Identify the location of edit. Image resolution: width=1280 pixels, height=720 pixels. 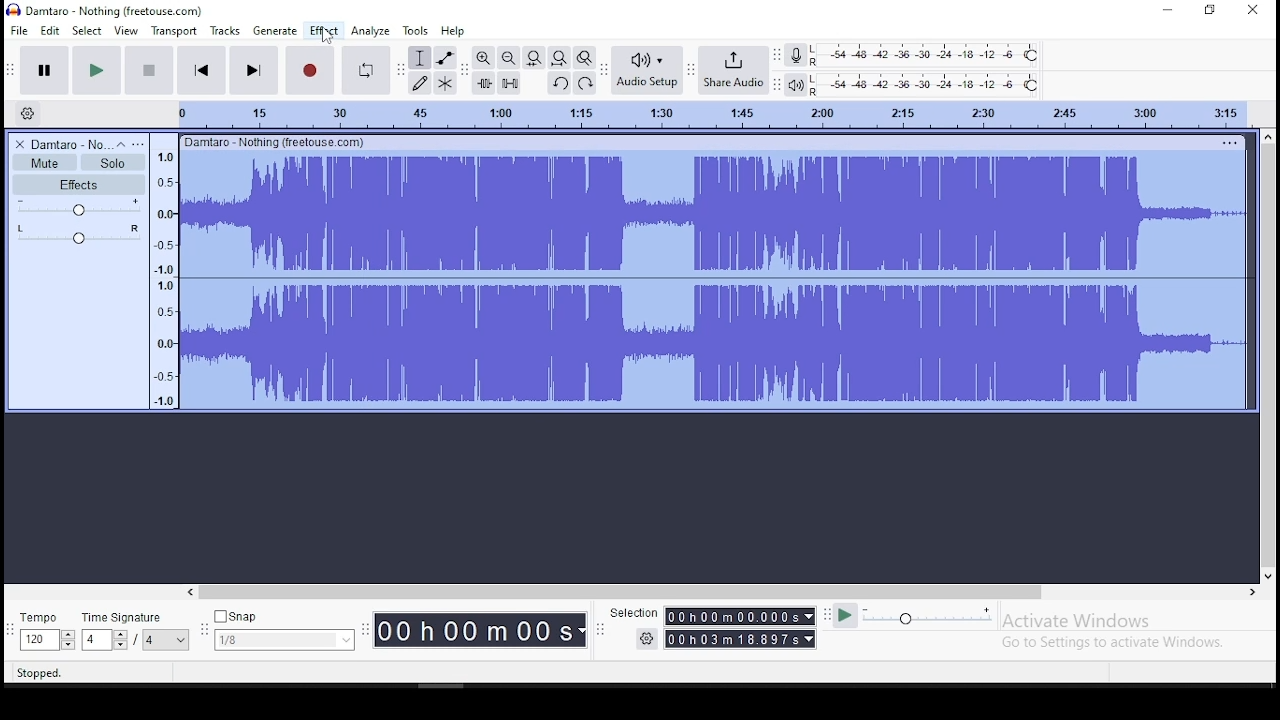
(52, 30).